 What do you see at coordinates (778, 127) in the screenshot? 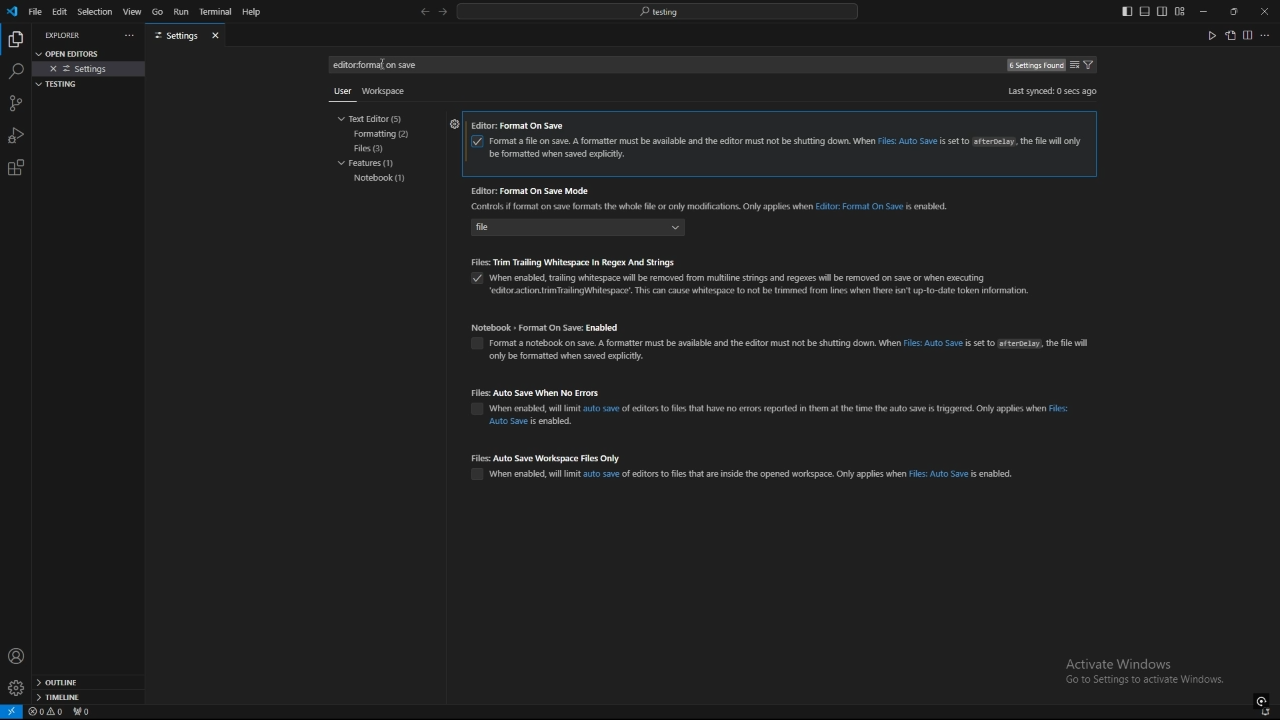
I see `editor format on save` at bounding box center [778, 127].